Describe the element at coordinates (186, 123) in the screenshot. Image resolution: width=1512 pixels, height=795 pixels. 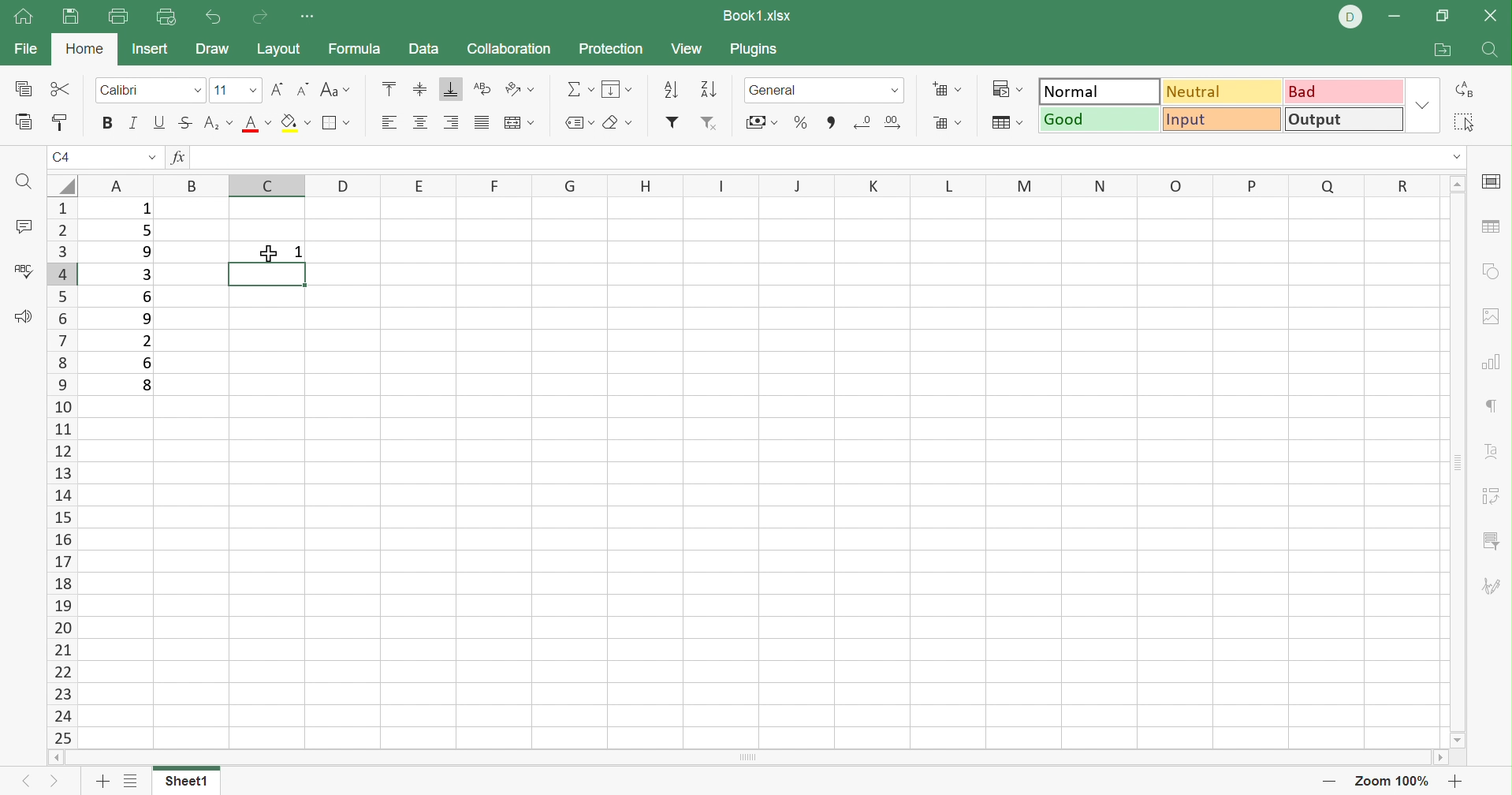
I see `Strikethrough` at that location.